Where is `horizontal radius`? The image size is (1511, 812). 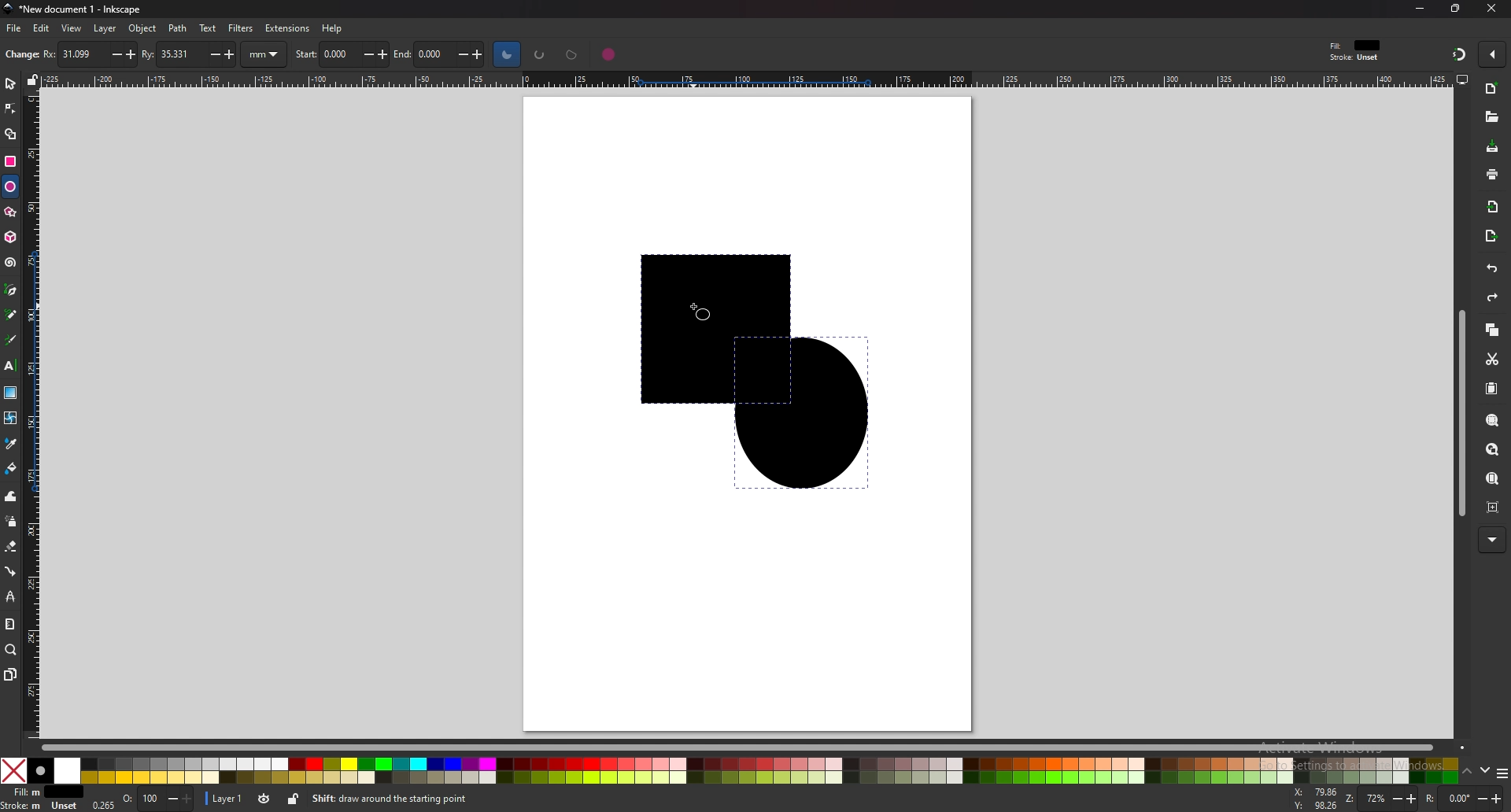 horizontal radius is located at coordinates (87, 54).